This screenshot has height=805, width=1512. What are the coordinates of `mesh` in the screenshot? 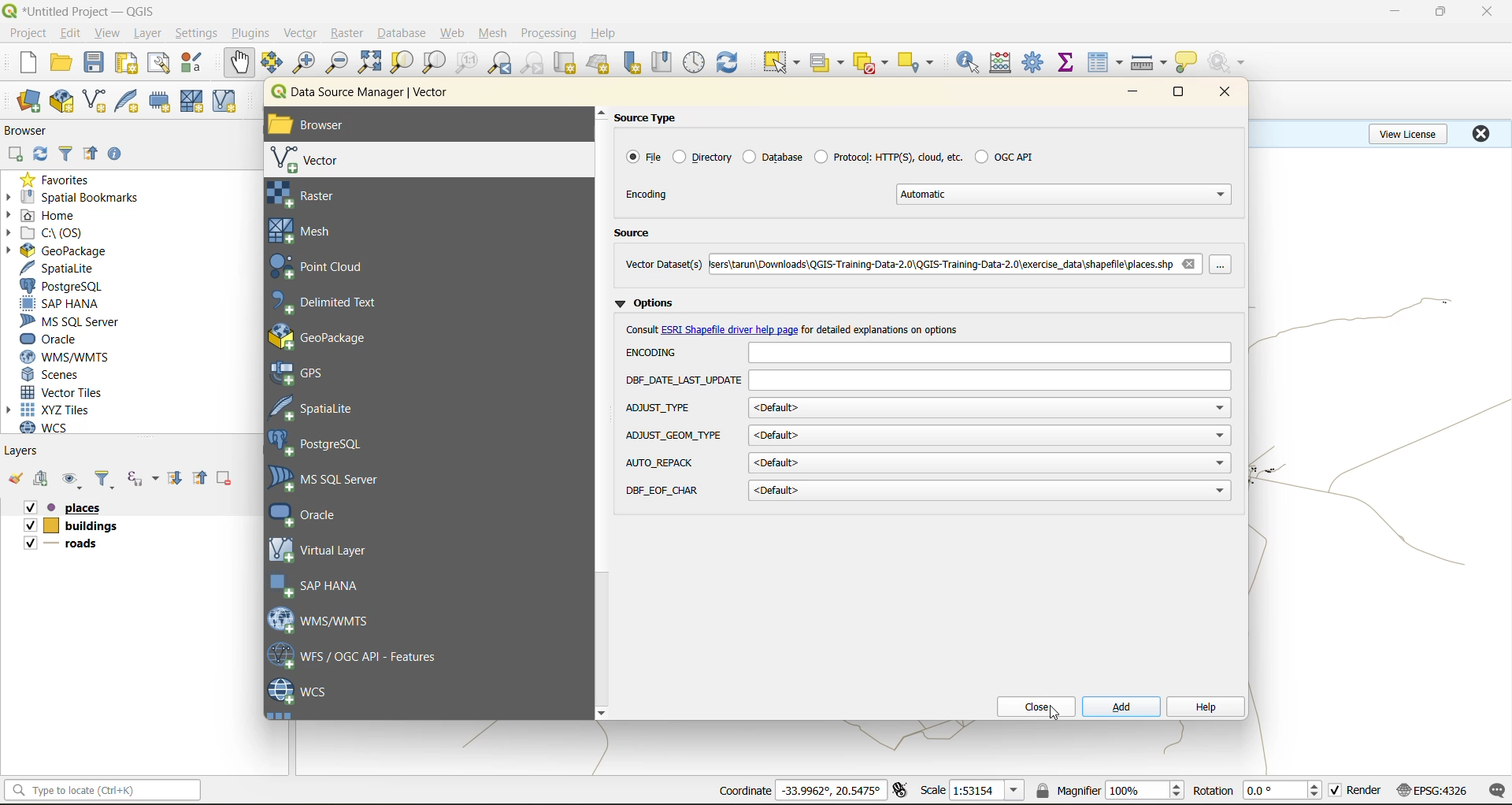 It's located at (308, 231).